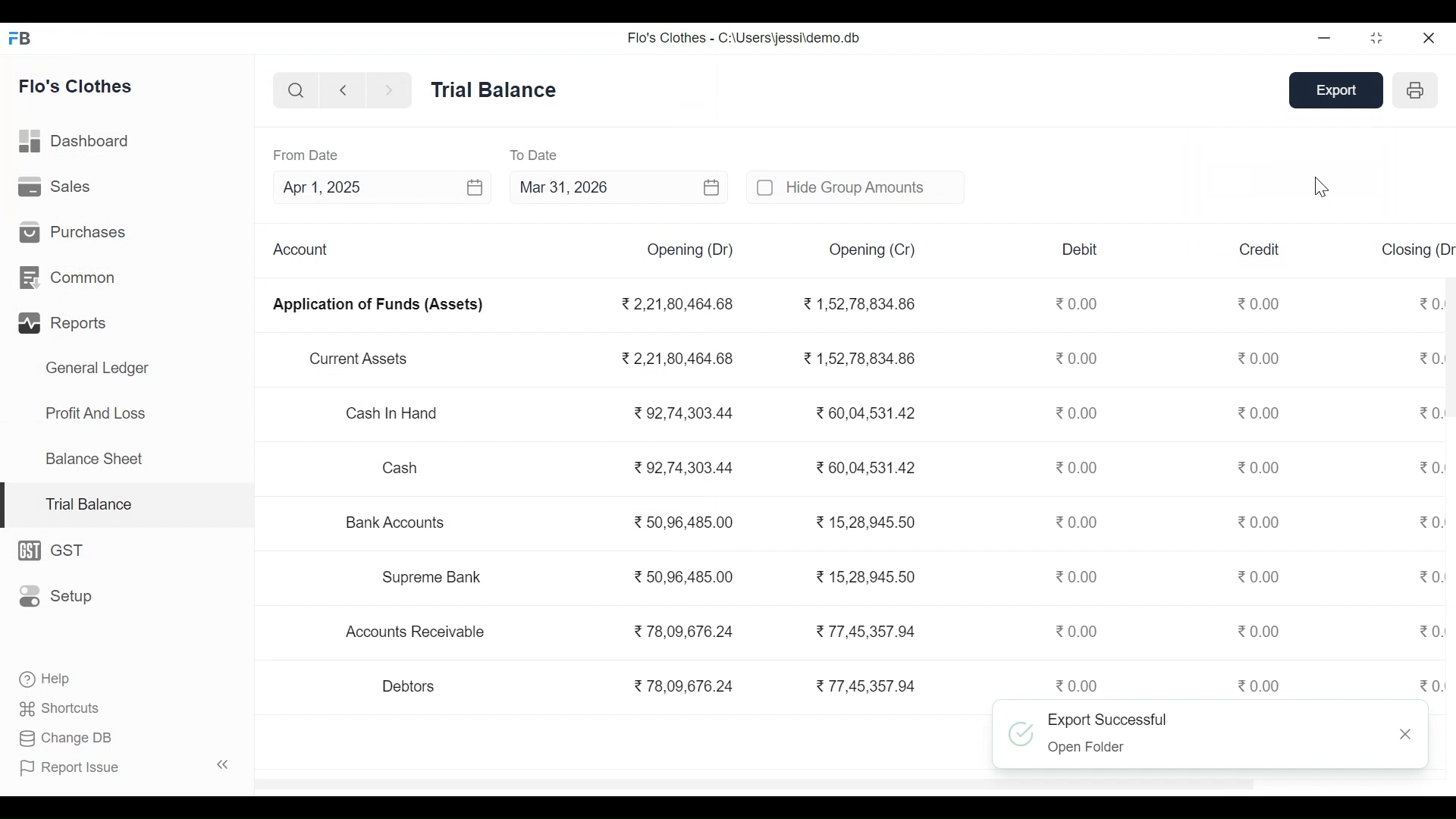 The height and width of the screenshot is (819, 1456). I want to click on 77.45.357.94, so click(863, 629).